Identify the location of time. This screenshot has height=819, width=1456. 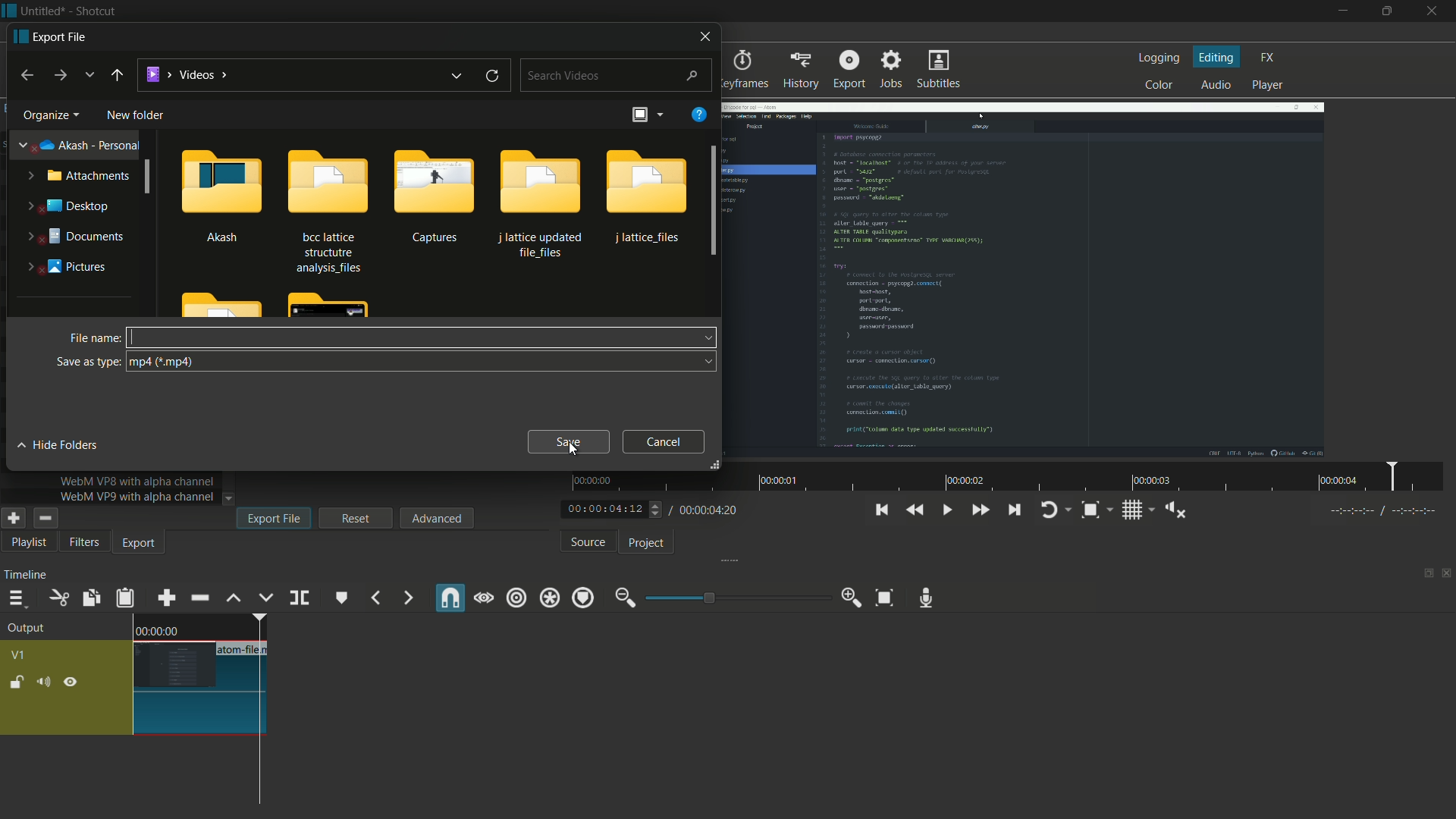
(157, 630).